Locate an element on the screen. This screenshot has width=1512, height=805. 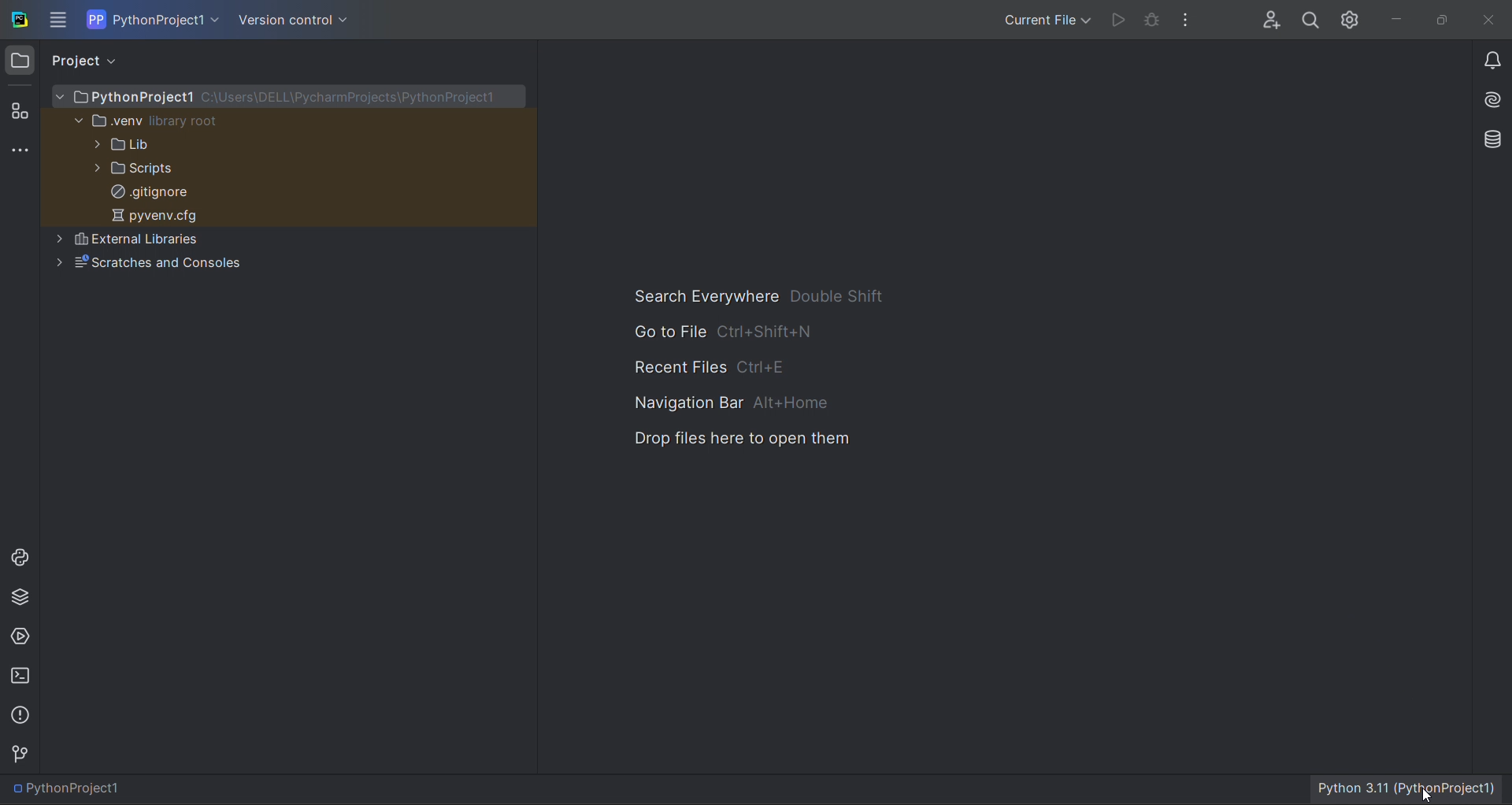
search is located at coordinates (1310, 17).